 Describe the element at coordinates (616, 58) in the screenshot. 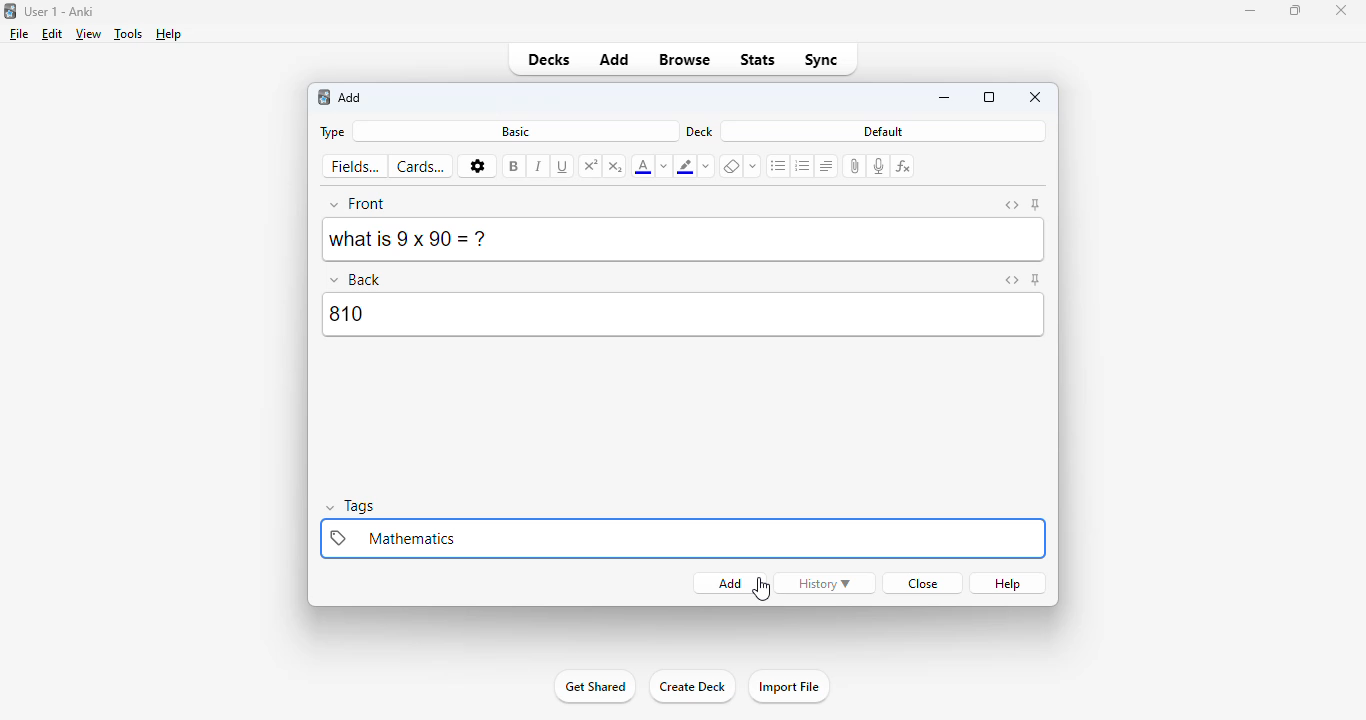

I see `add` at that location.